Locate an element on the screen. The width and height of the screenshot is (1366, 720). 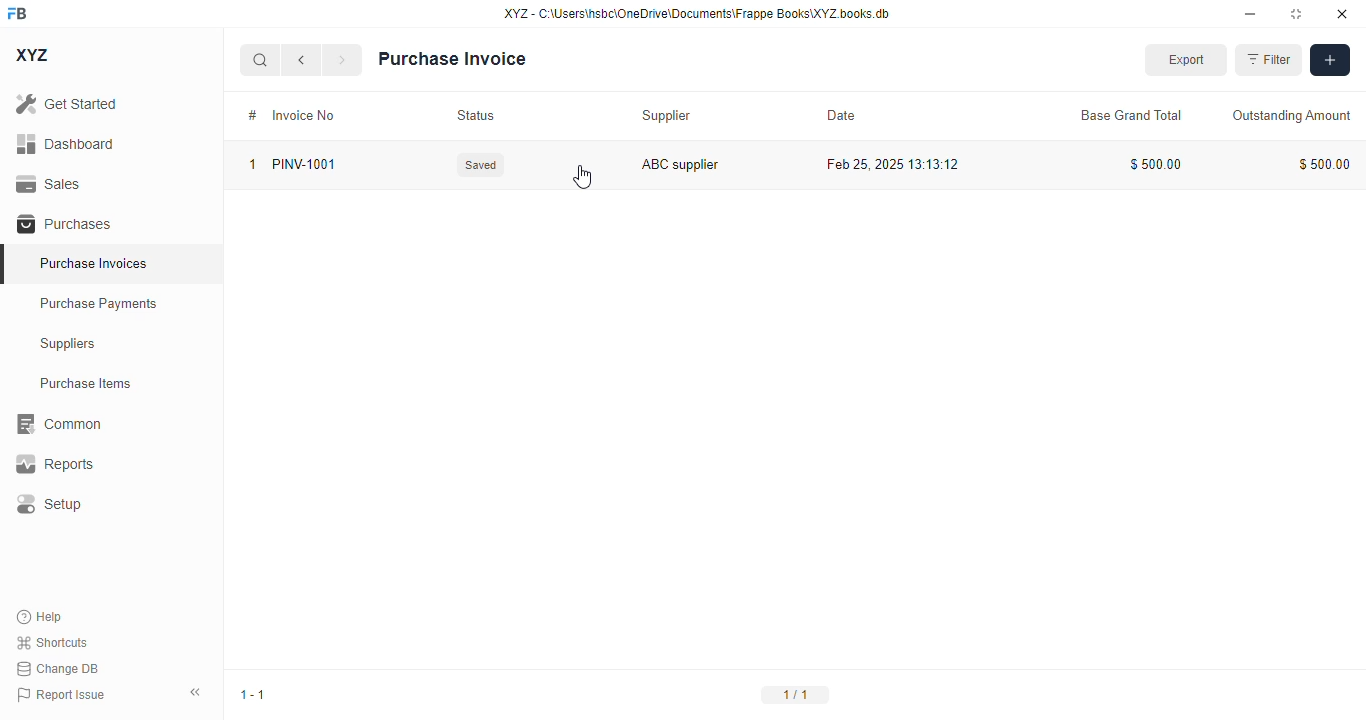
suppliers is located at coordinates (69, 344).